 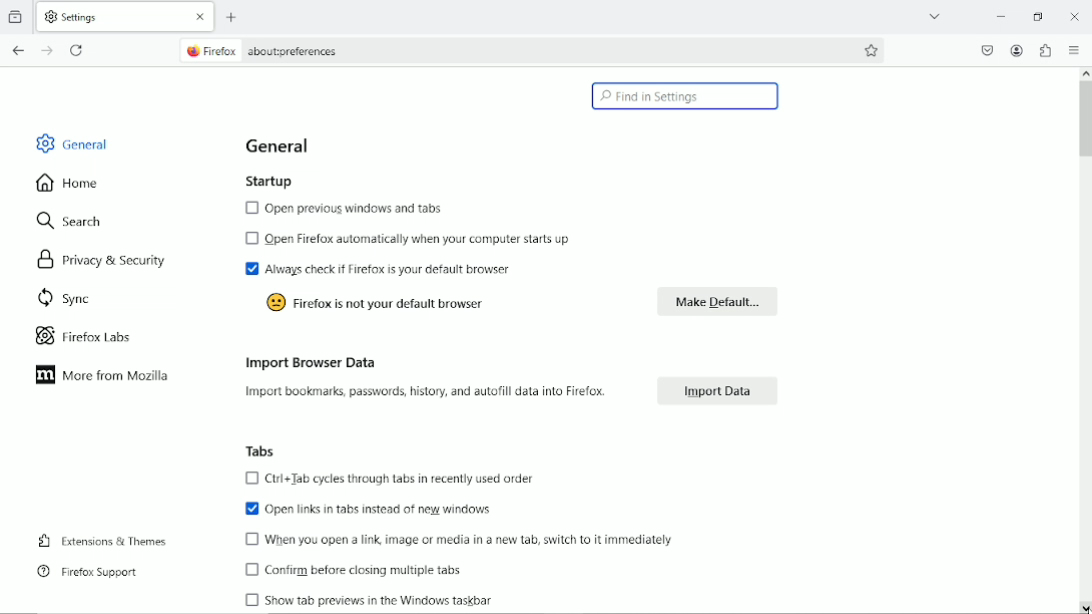 I want to click on Confirm before closing multiple tabs., so click(x=357, y=572).